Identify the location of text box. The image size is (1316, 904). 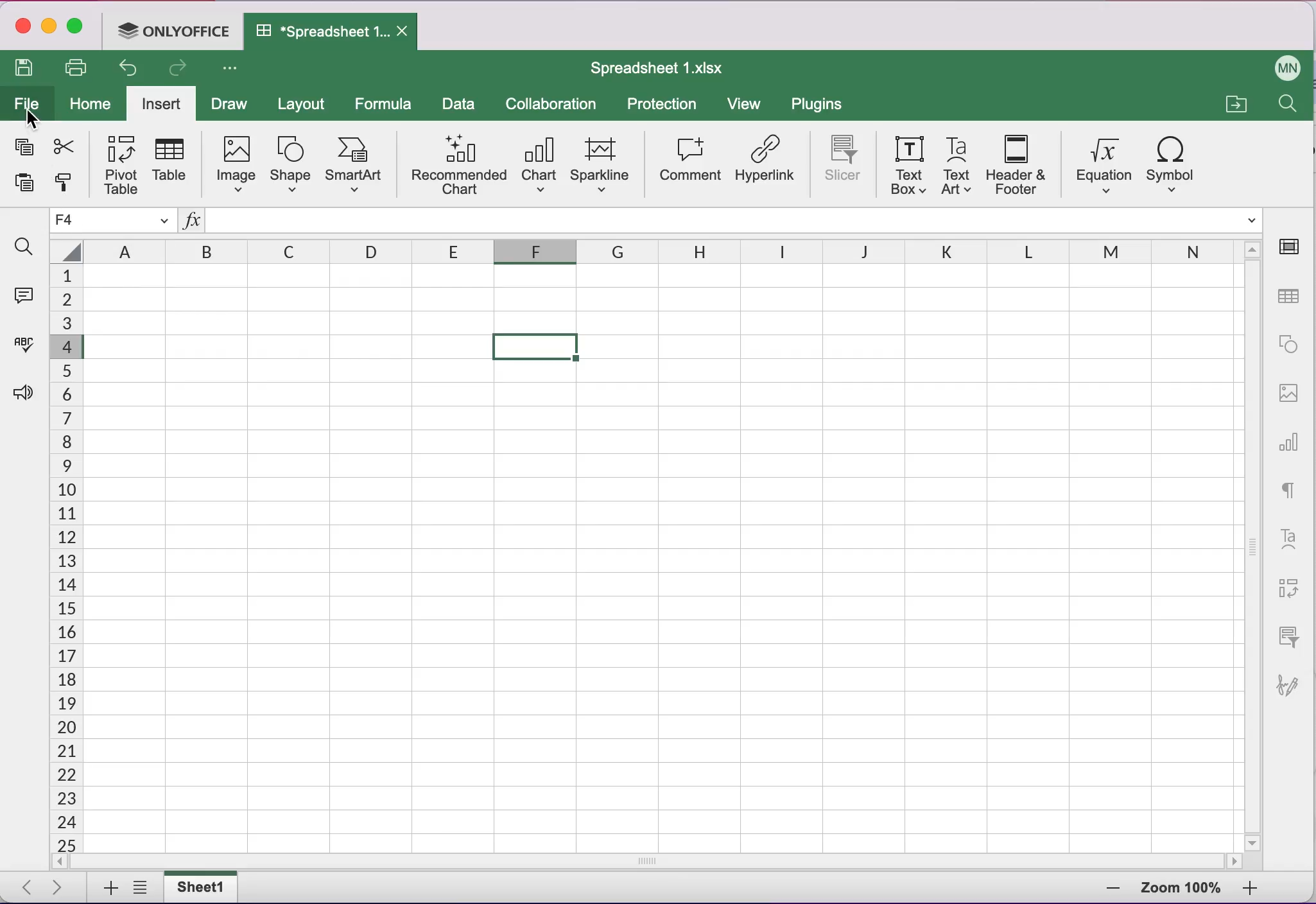
(909, 166).